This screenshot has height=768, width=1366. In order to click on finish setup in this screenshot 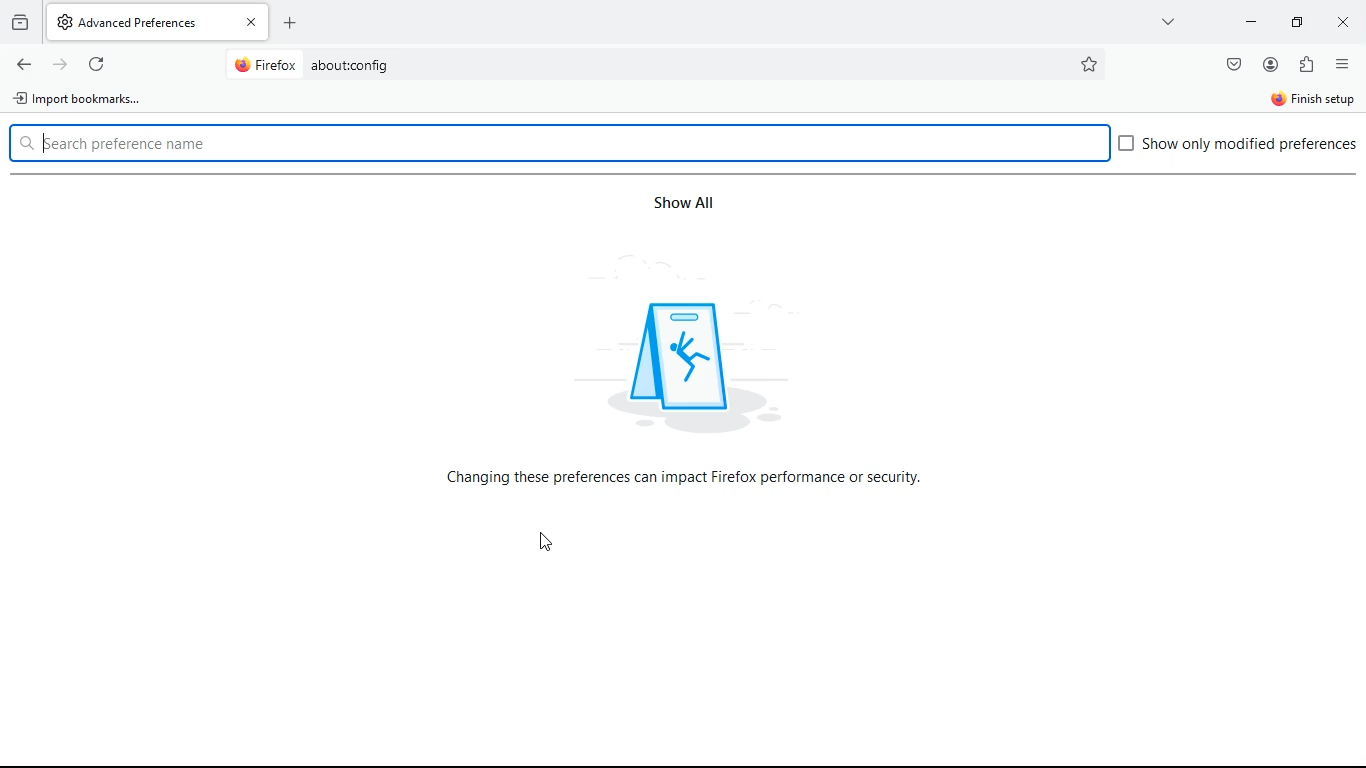, I will do `click(1314, 102)`.